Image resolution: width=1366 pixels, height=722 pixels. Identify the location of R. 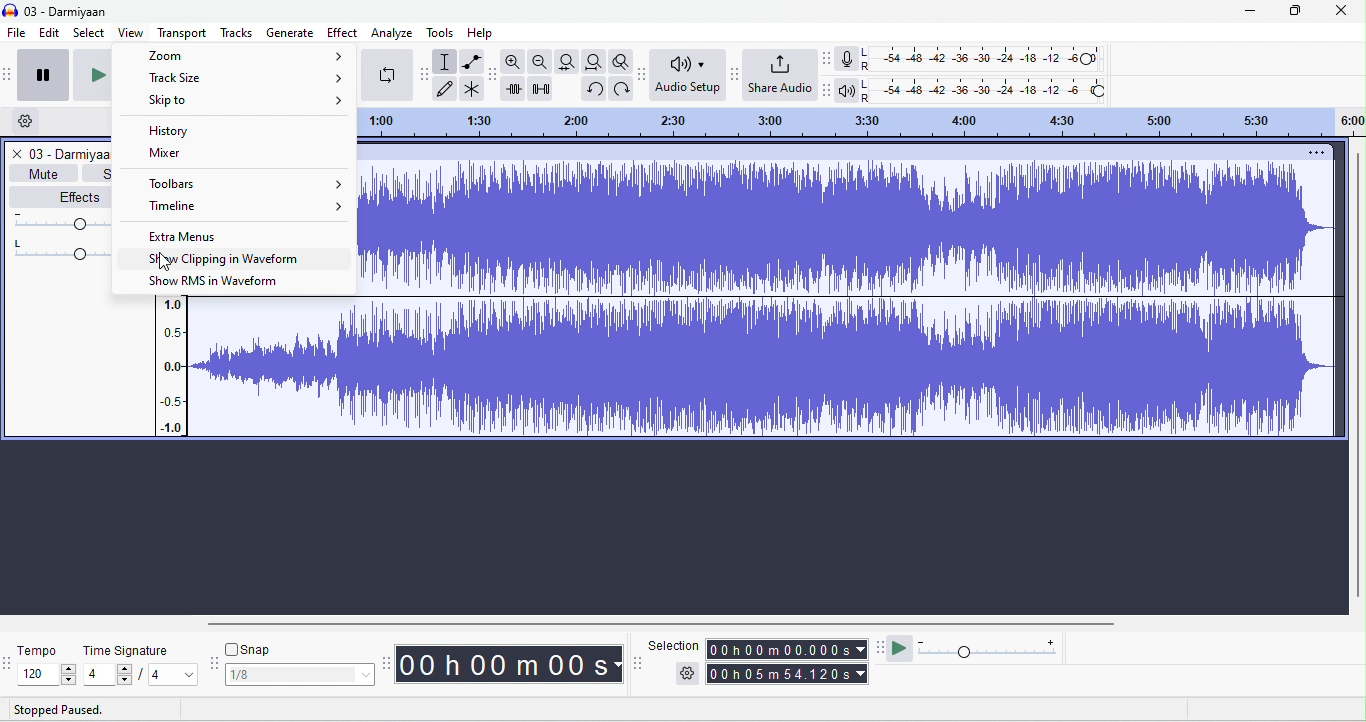
(867, 67).